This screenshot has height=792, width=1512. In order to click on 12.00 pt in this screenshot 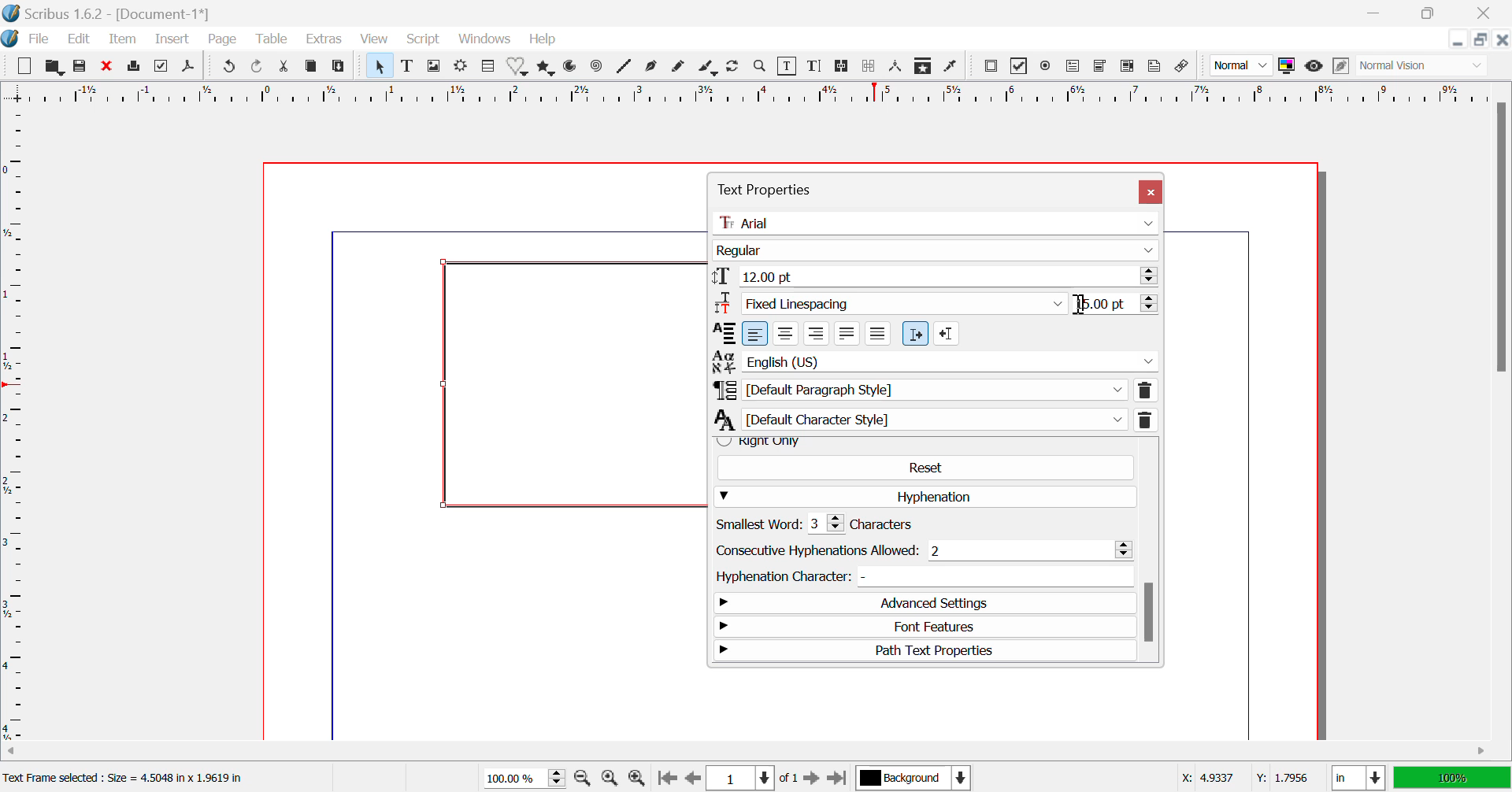, I will do `click(936, 276)`.